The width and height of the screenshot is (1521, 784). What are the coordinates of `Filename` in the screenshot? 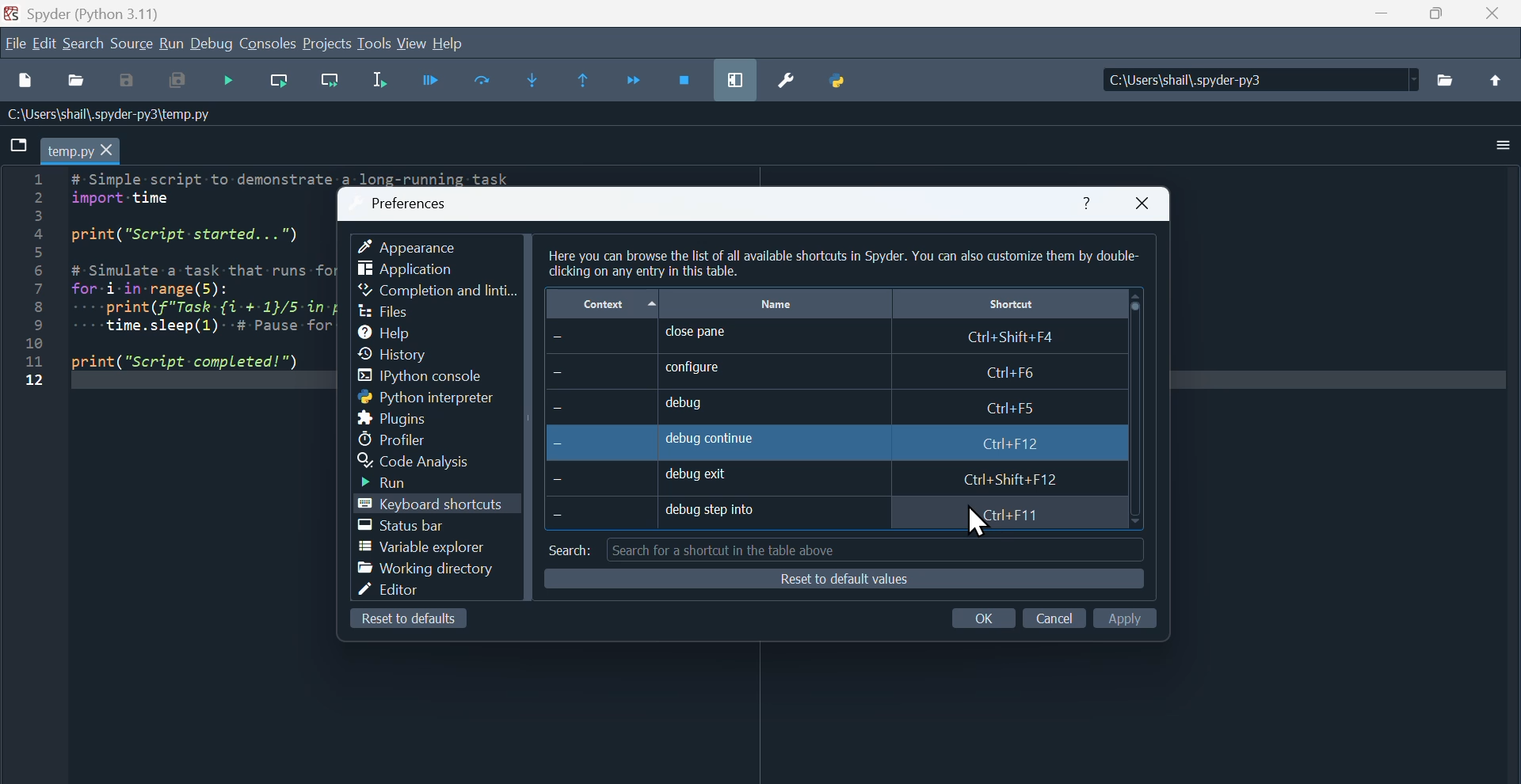 It's located at (84, 150).